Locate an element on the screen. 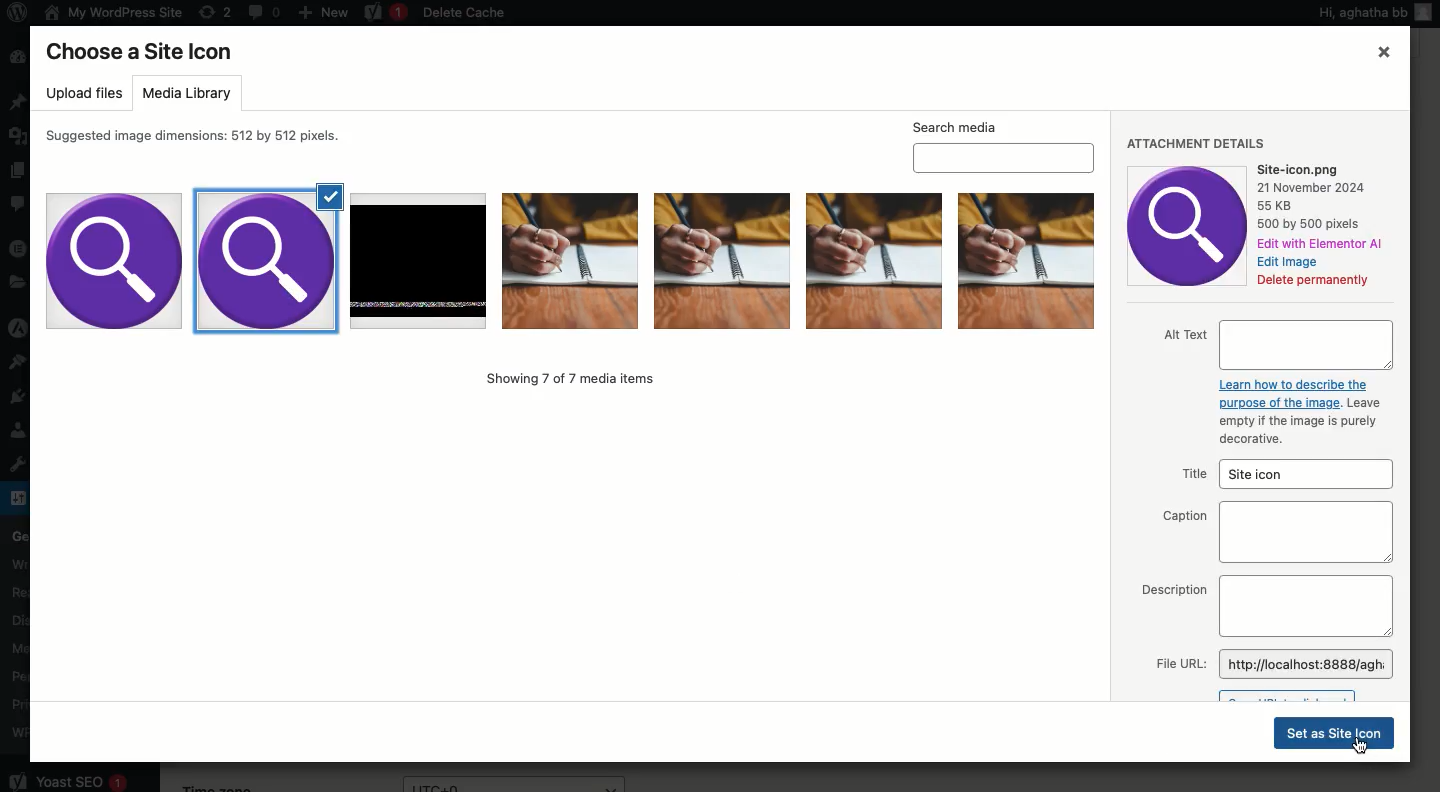 The height and width of the screenshot is (792, 1440). Description is located at coordinates (1174, 589).